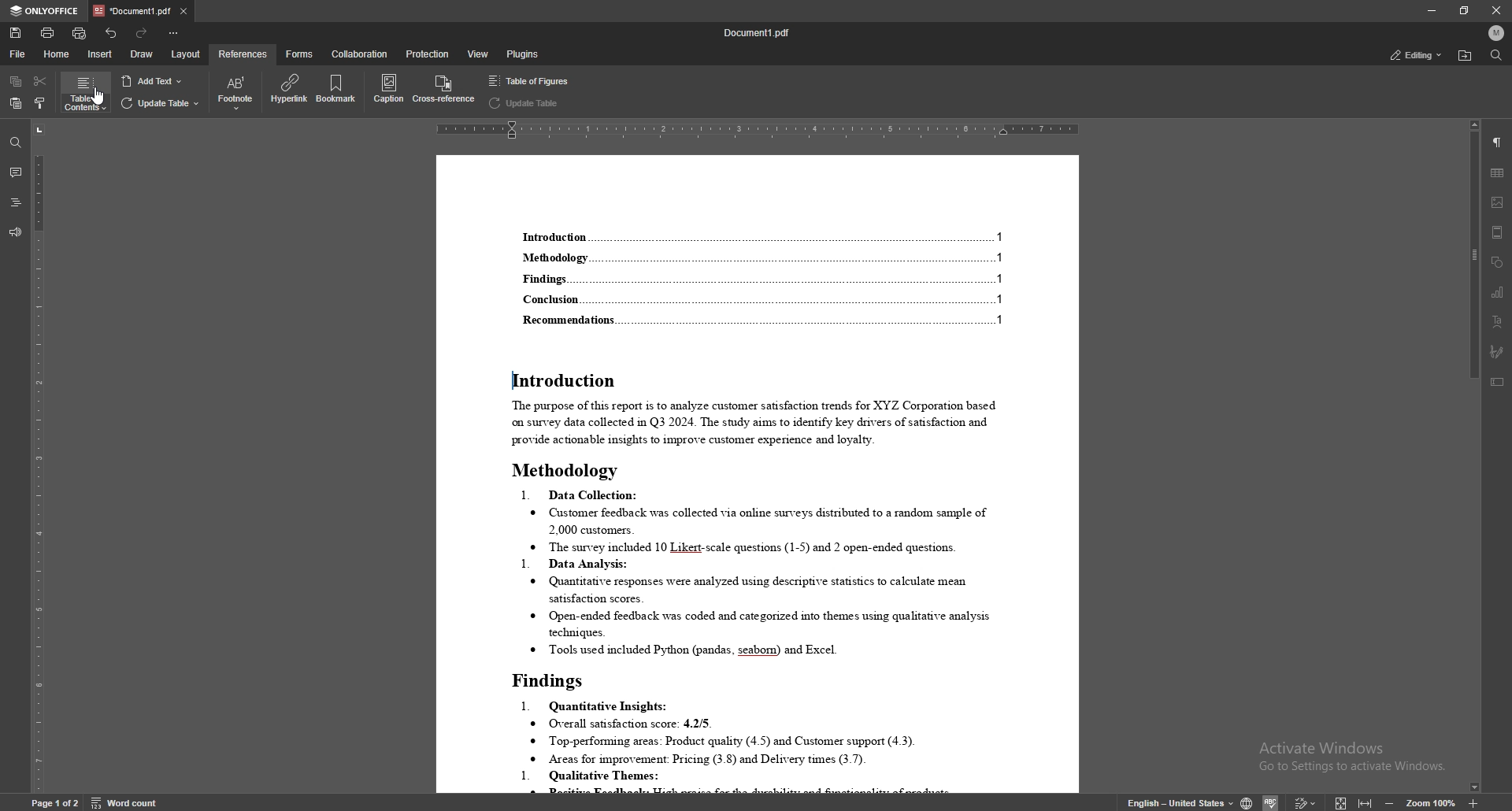  What do you see at coordinates (140, 54) in the screenshot?
I see `draw` at bounding box center [140, 54].